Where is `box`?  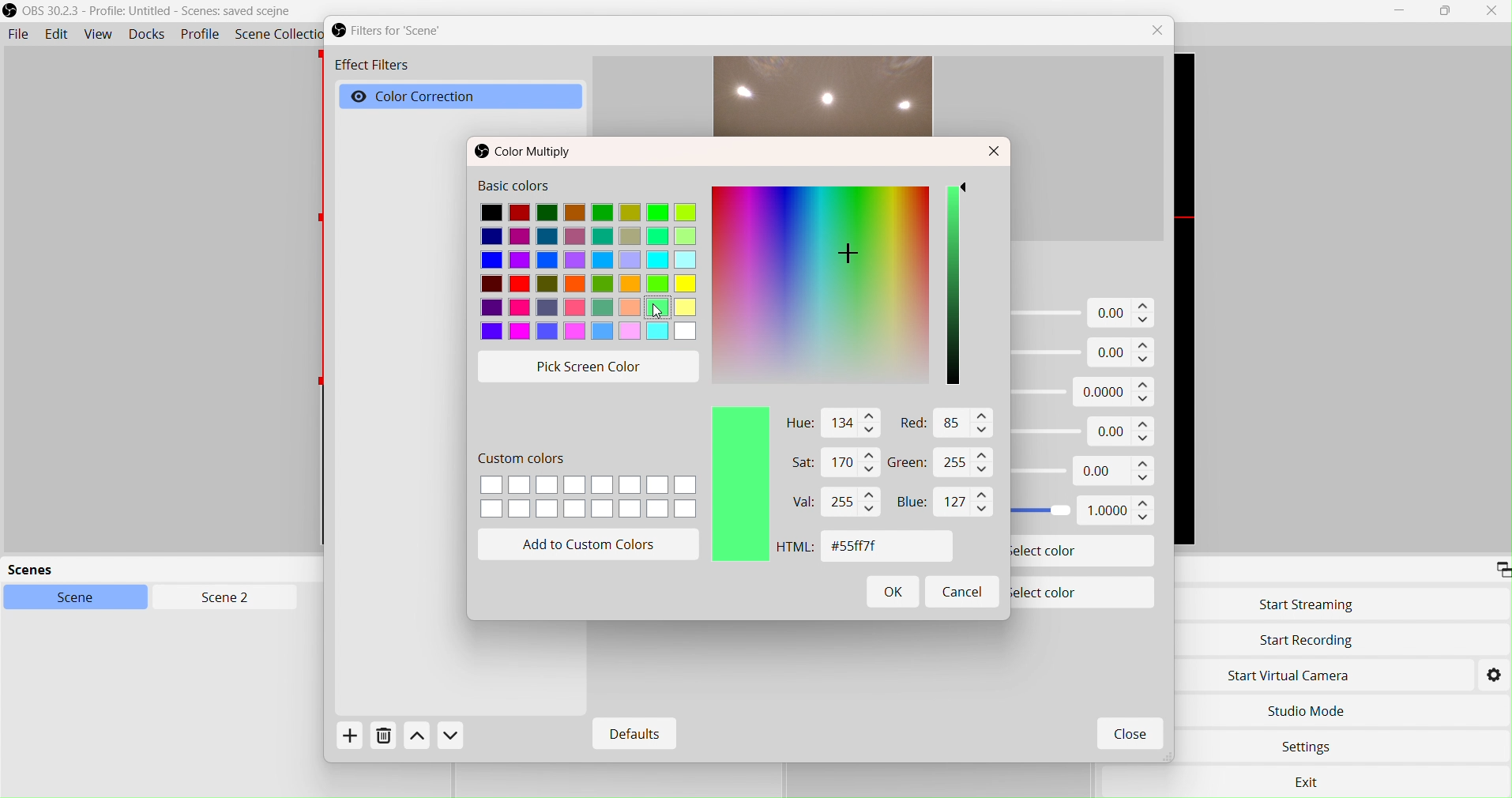
box is located at coordinates (1448, 12).